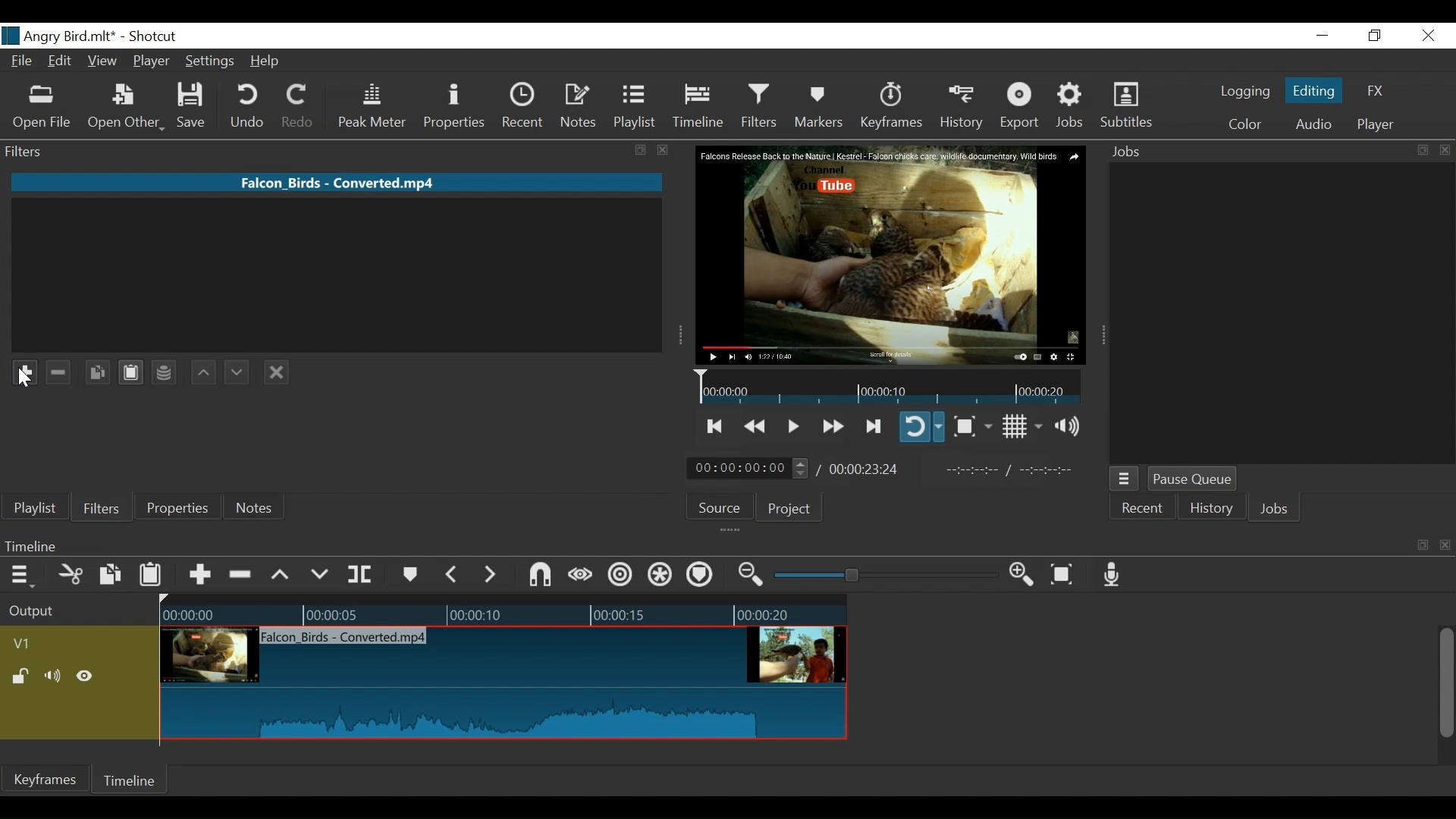 Image resolution: width=1456 pixels, height=819 pixels. Describe the element at coordinates (320, 471) in the screenshot. I see `View as icons` at that location.